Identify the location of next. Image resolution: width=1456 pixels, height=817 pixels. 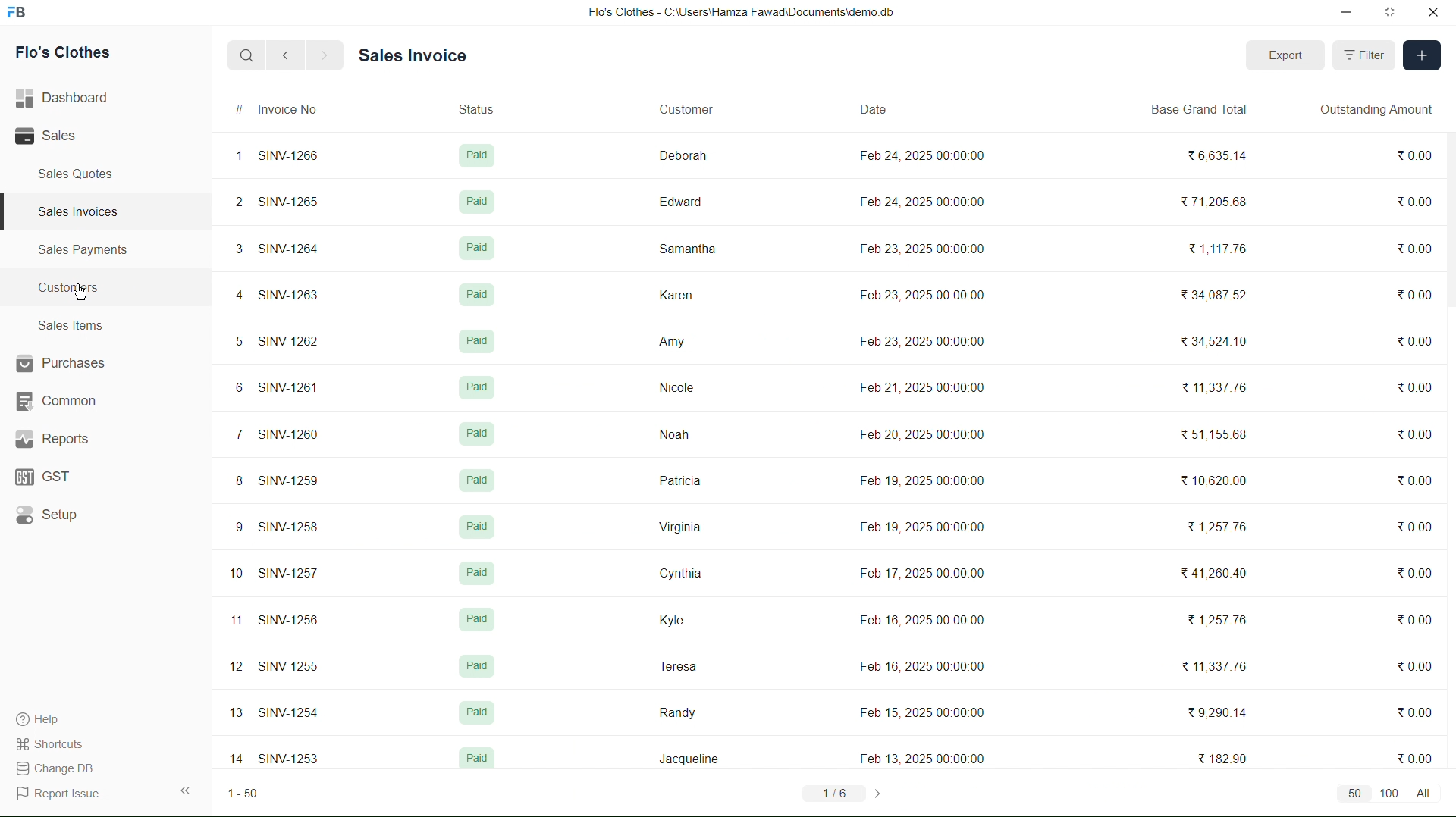
(327, 57).